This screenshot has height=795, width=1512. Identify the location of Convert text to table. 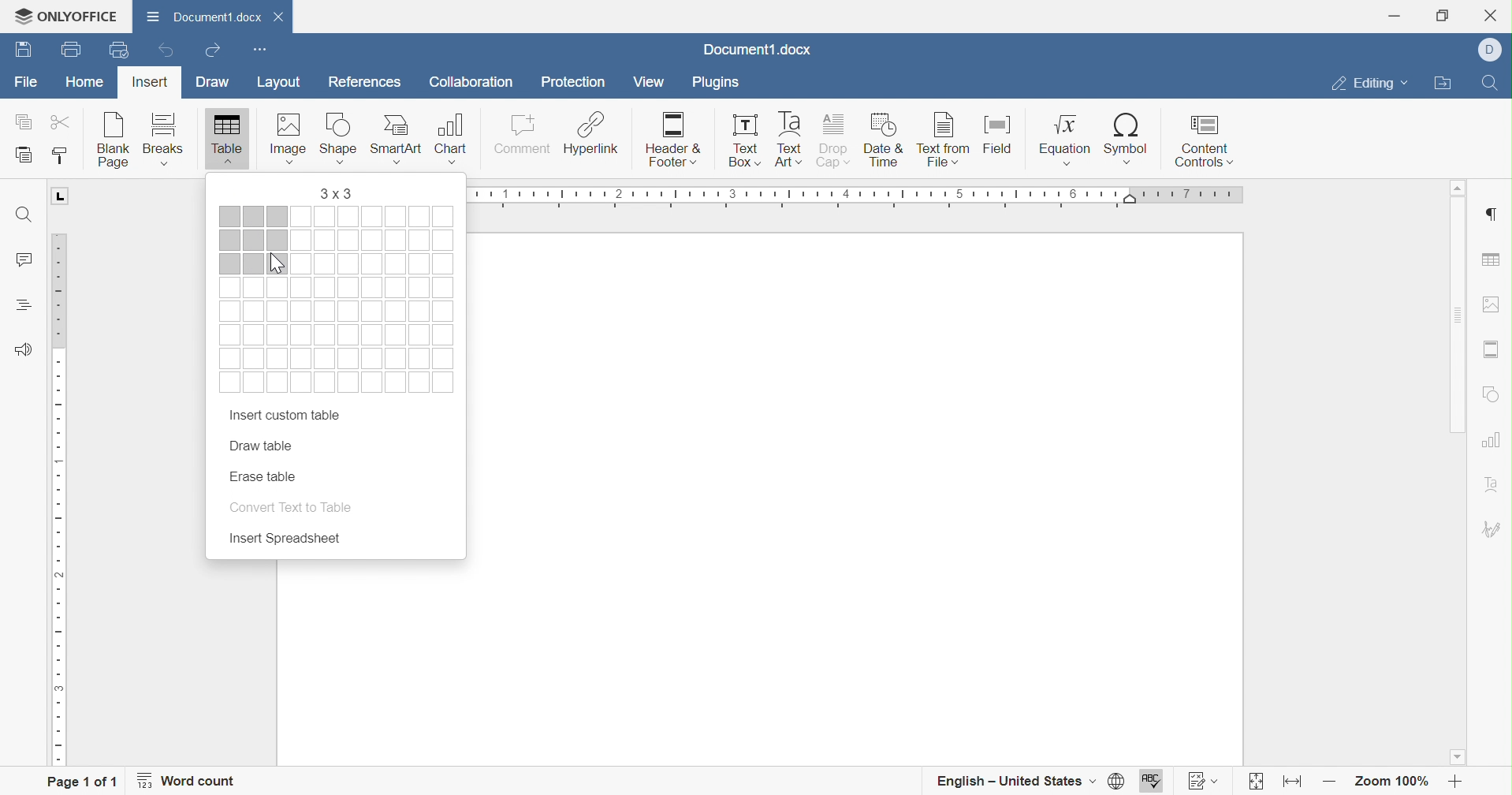
(288, 506).